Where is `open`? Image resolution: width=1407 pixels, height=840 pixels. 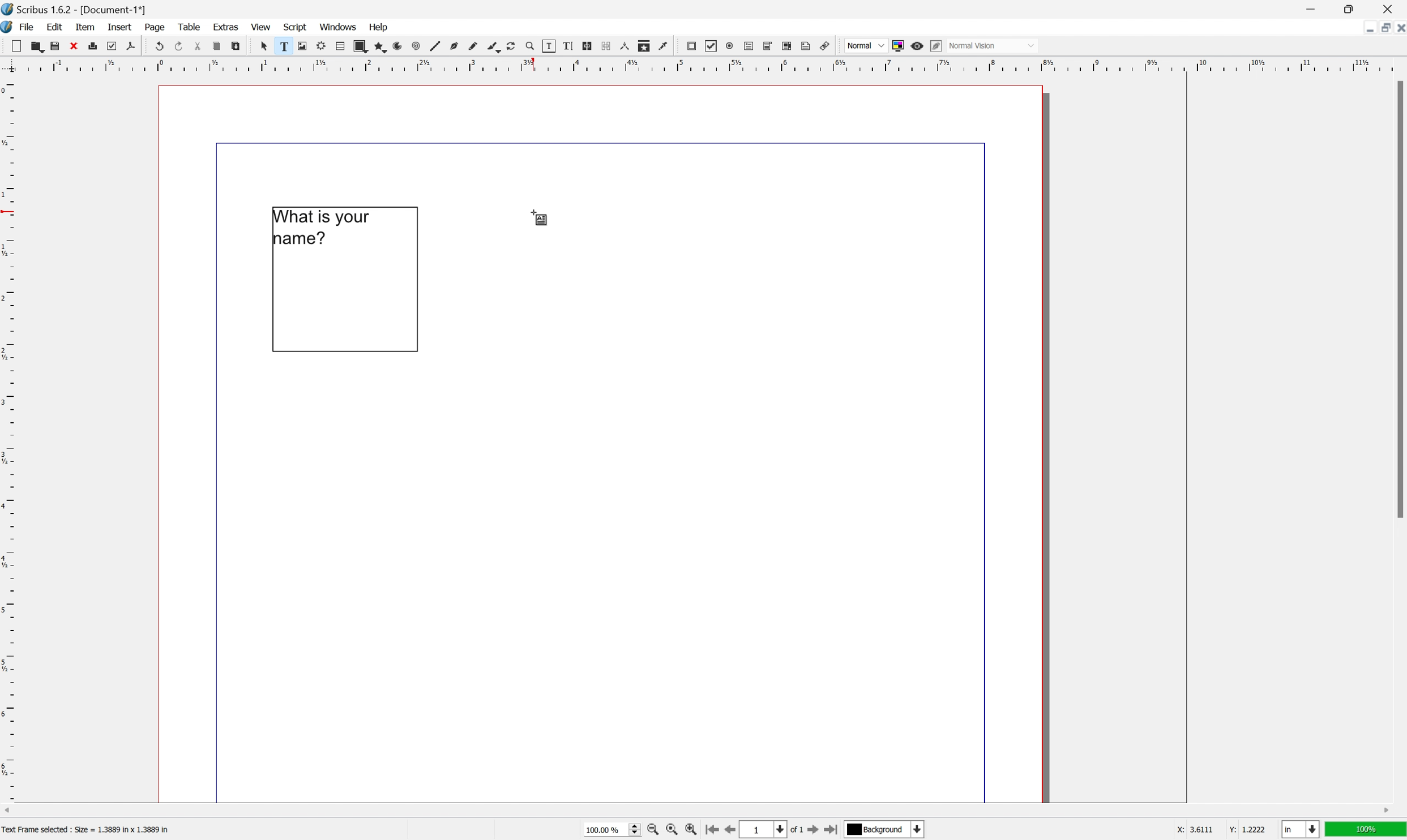 open is located at coordinates (39, 48).